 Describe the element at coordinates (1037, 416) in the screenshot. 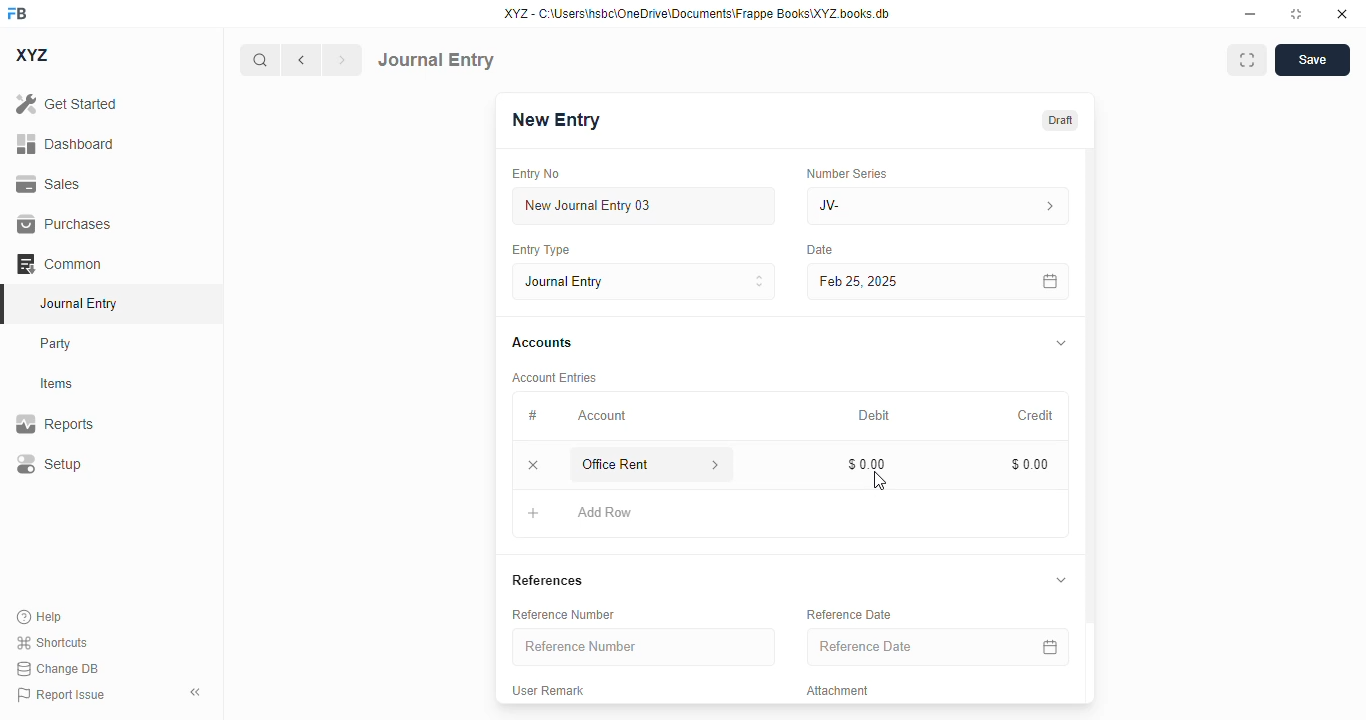

I see `credit` at that location.